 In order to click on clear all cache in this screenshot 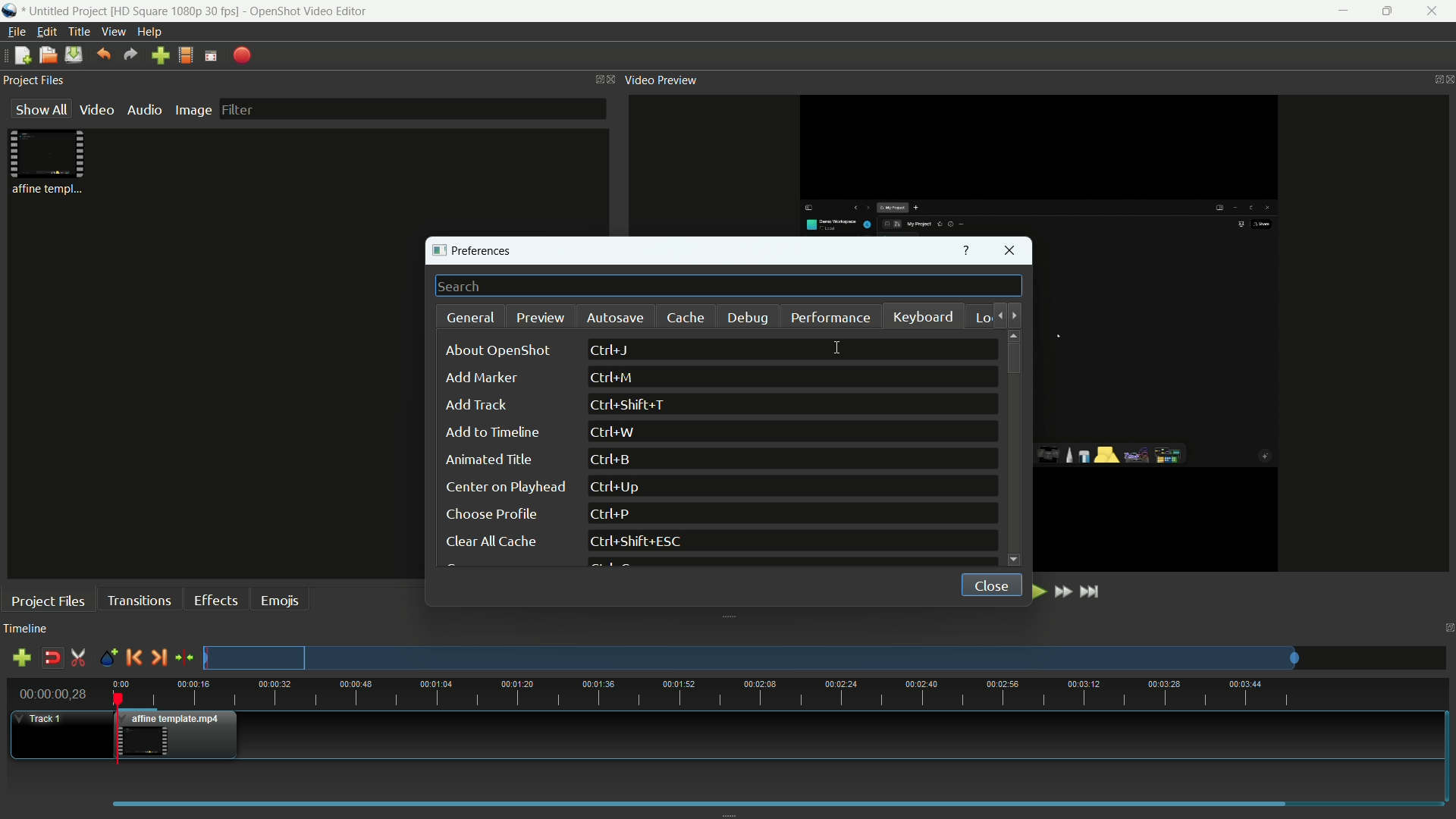, I will do `click(489, 543)`.